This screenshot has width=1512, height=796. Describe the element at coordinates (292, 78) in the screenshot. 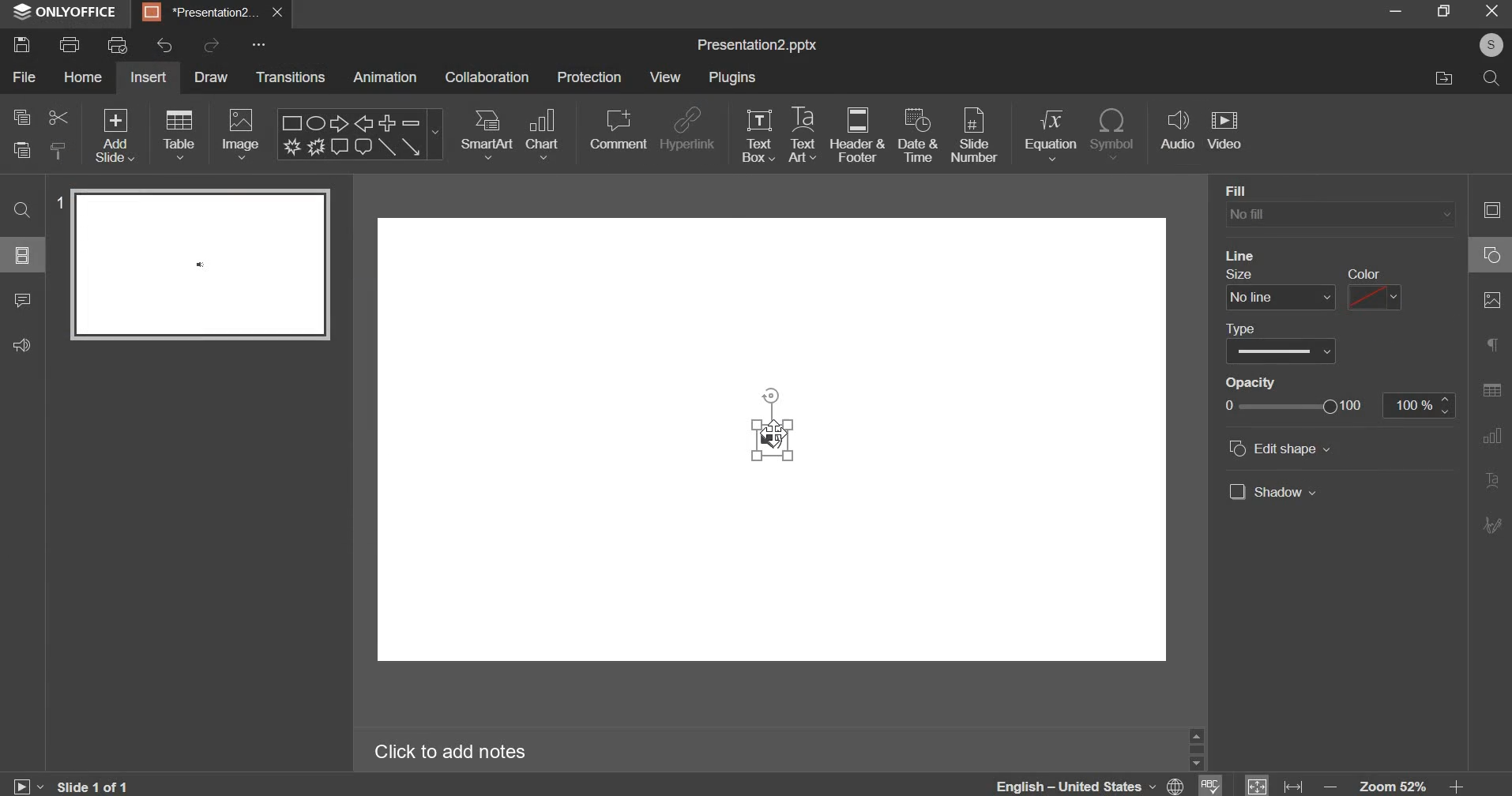

I see `transitions` at that location.